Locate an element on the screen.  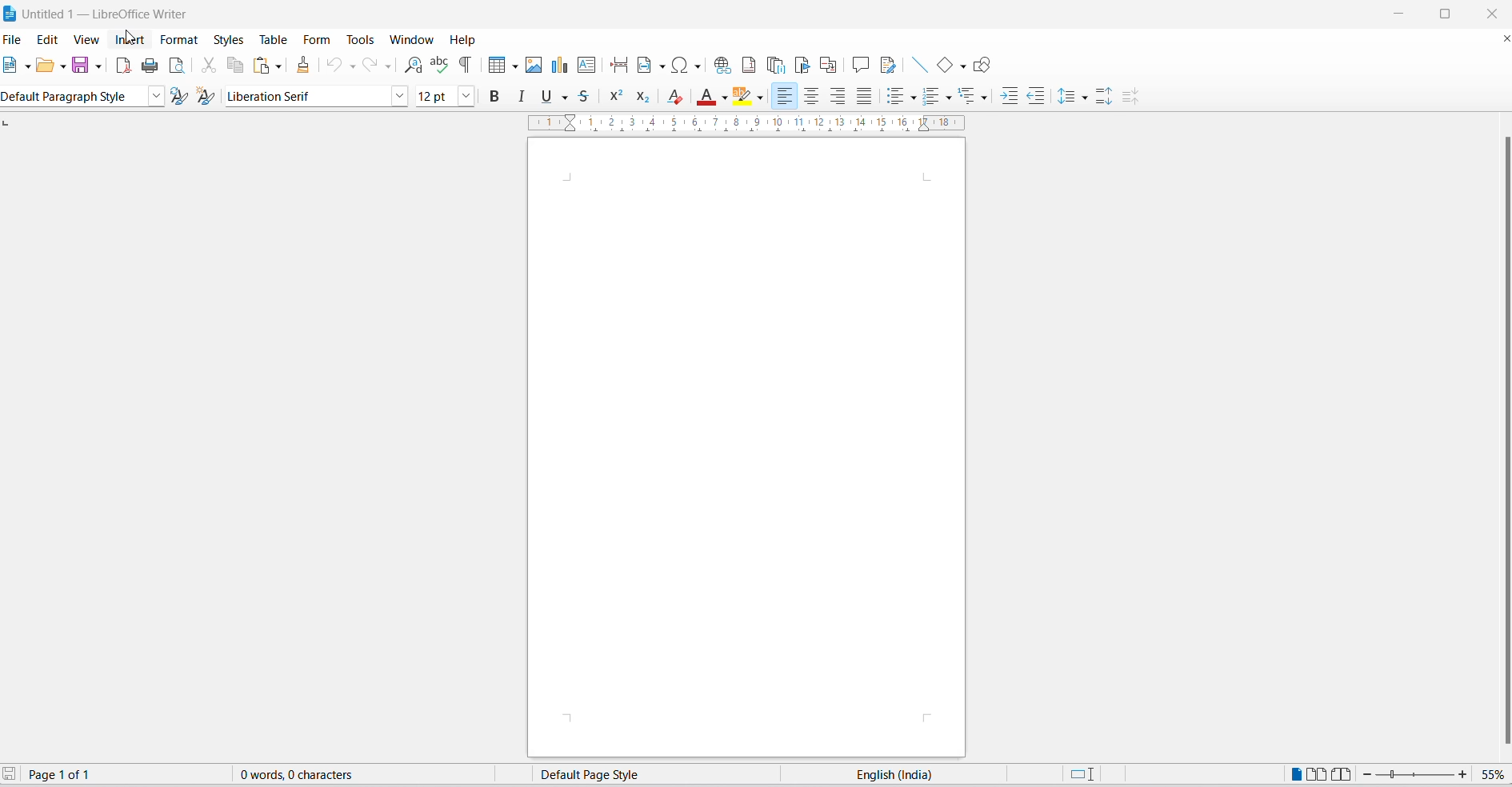
undo is located at coordinates (335, 67).